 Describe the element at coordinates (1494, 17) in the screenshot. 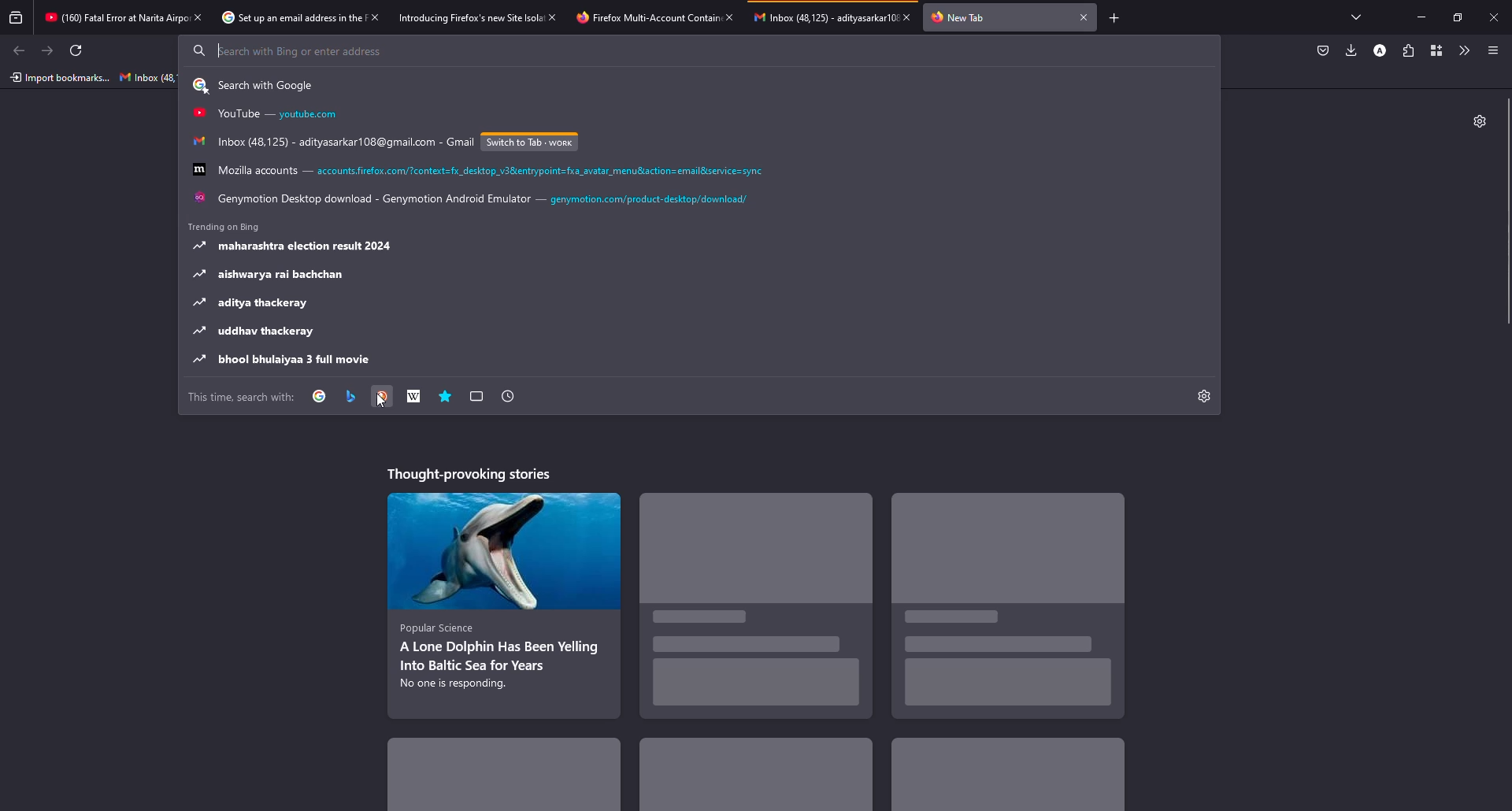

I see `close` at that location.